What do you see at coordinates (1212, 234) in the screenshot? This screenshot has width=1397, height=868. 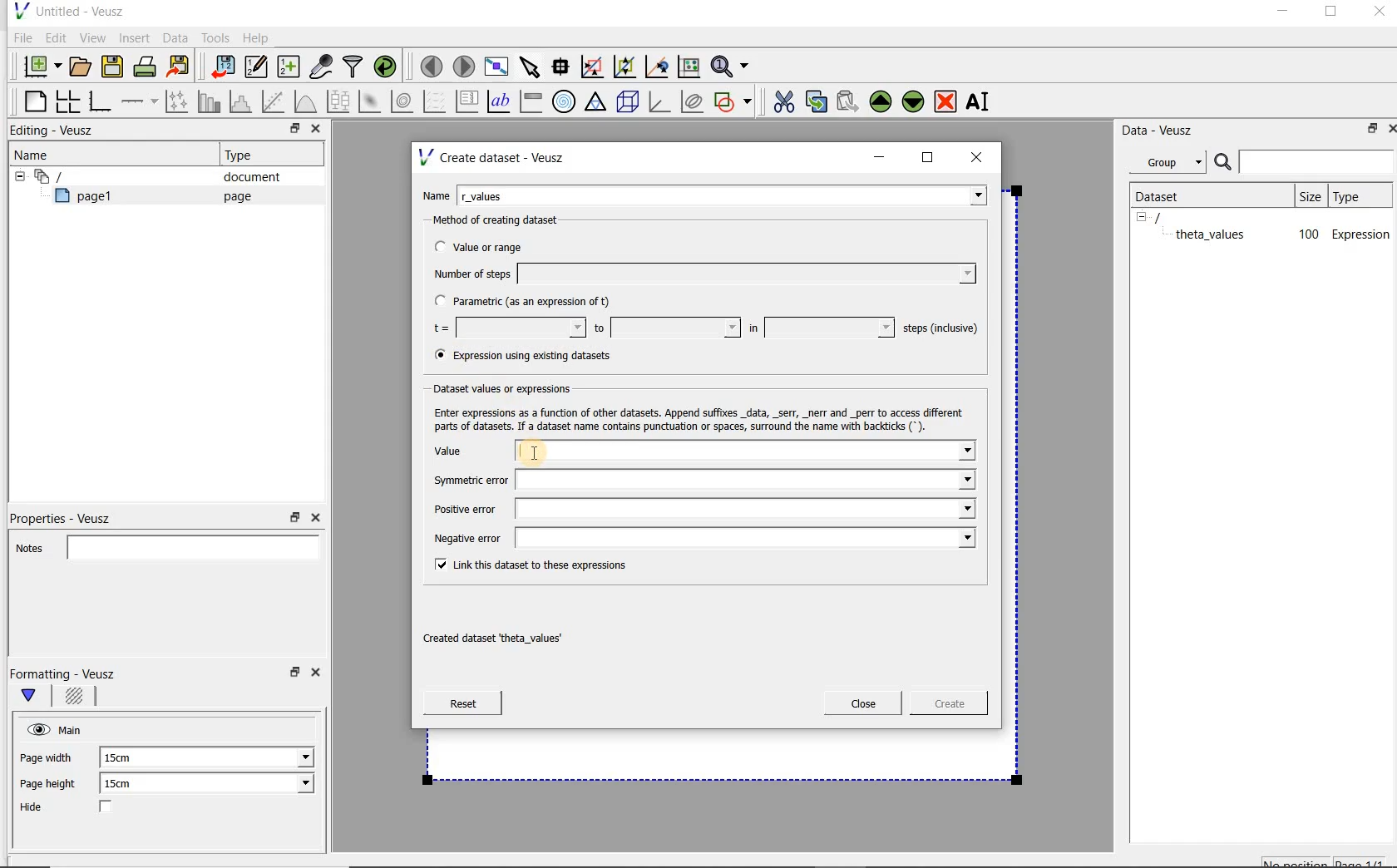 I see `theta_values` at bounding box center [1212, 234].